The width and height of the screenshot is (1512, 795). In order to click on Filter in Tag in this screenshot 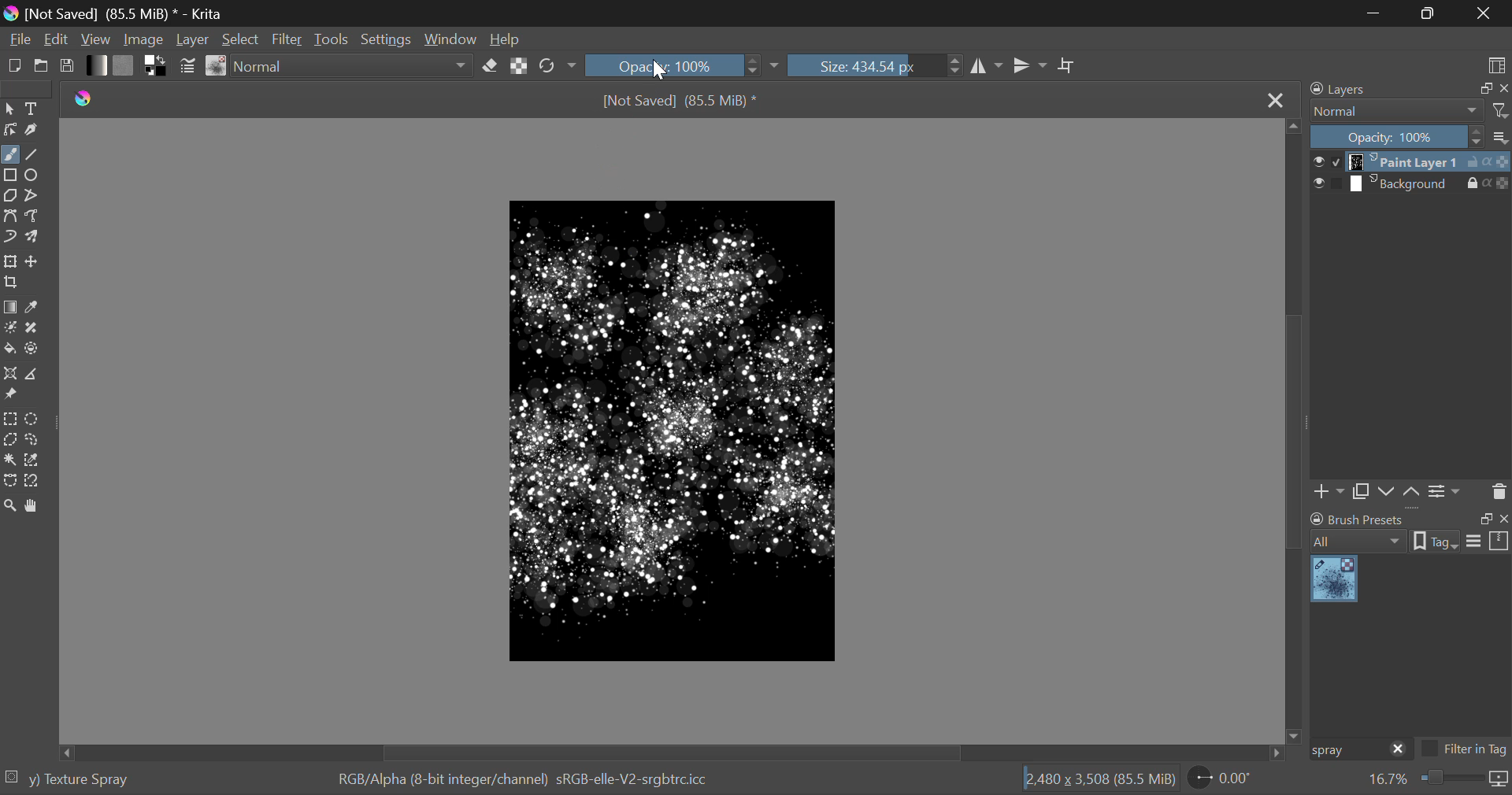, I will do `click(1465, 751)`.